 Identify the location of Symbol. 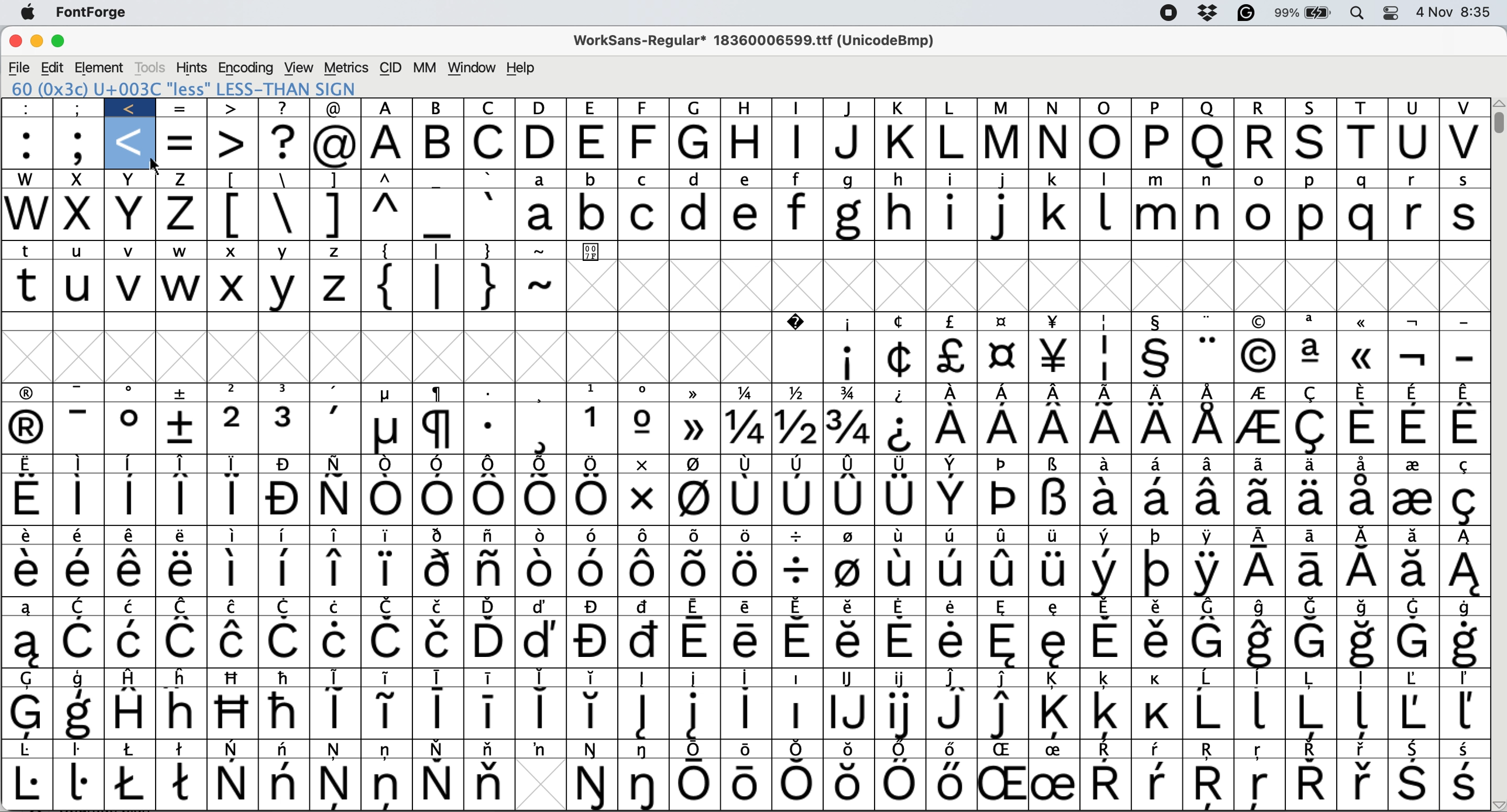
(1312, 323).